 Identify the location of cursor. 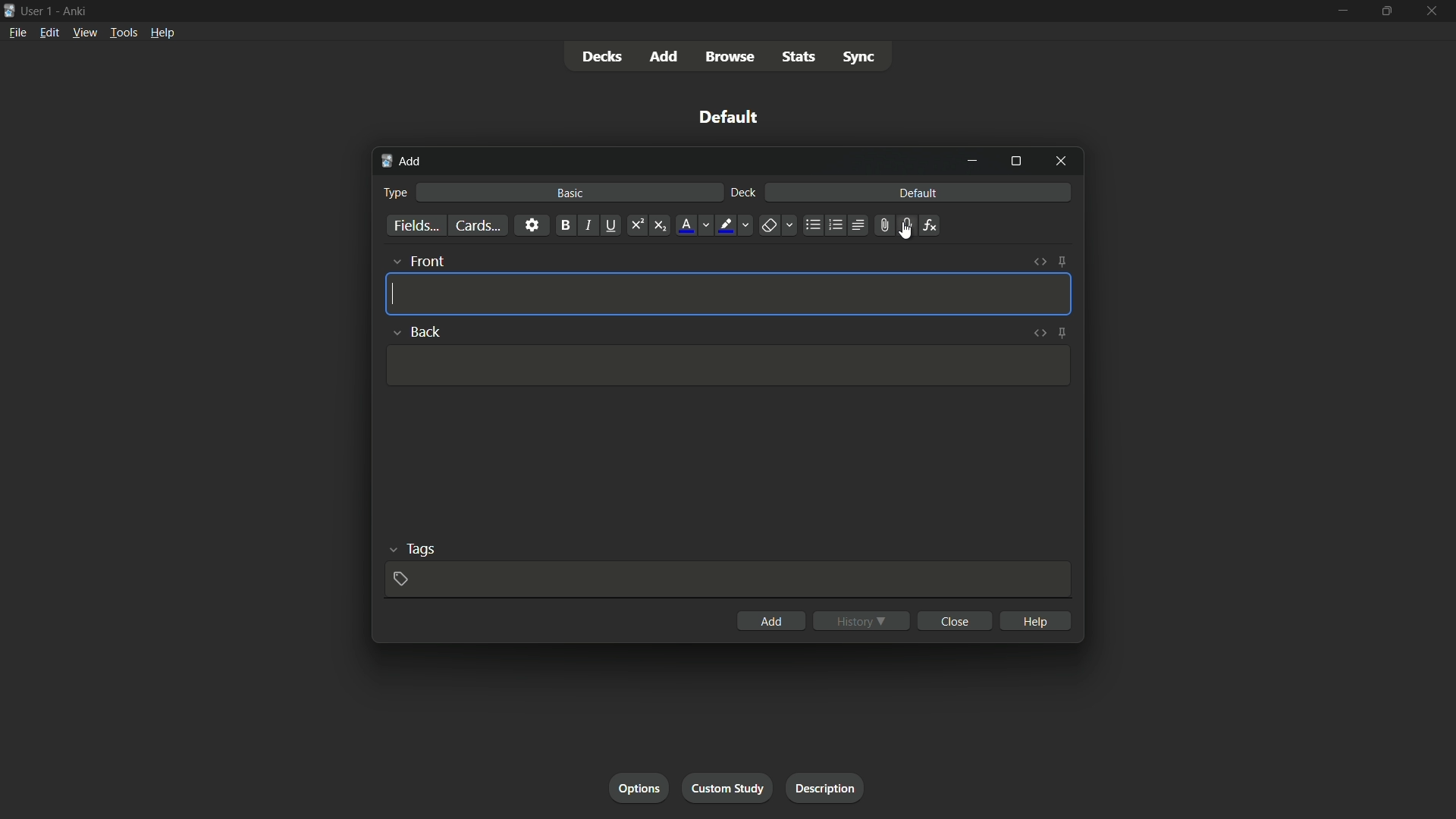
(392, 293).